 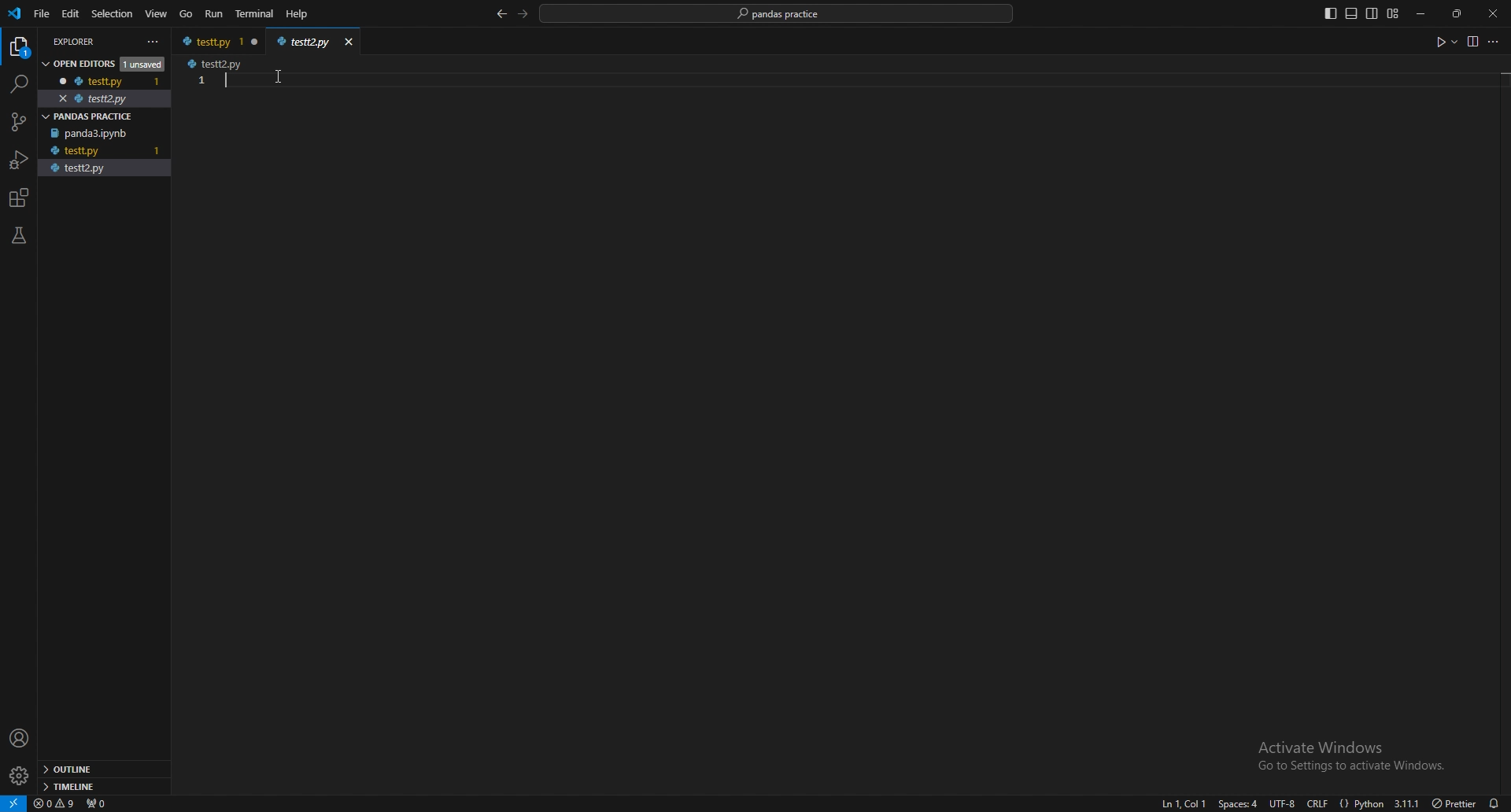 I want to click on settings, so click(x=20, y=776).